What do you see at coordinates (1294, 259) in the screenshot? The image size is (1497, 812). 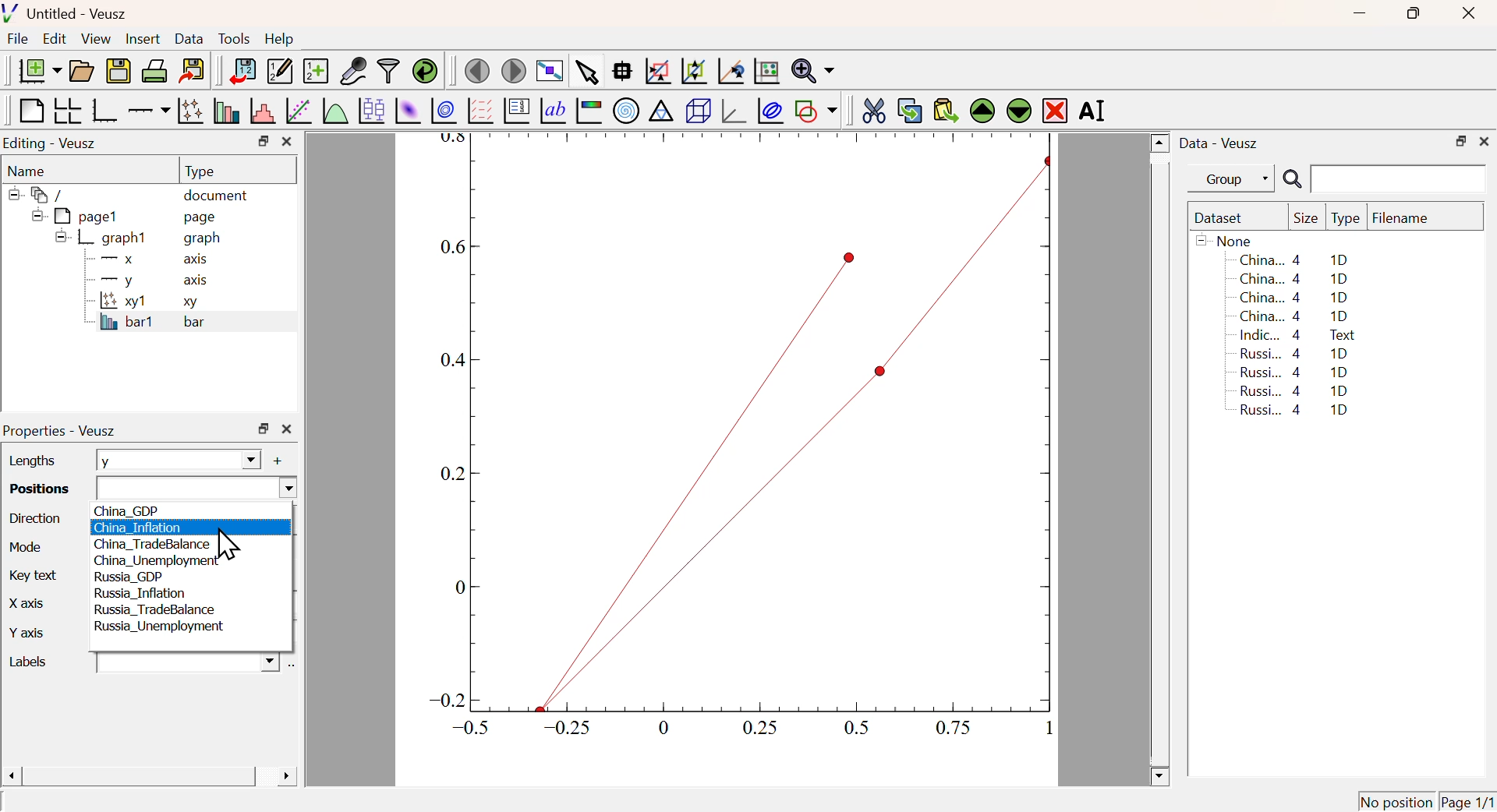 I see `China... 4 1D` at bounding box center [1294, 259].